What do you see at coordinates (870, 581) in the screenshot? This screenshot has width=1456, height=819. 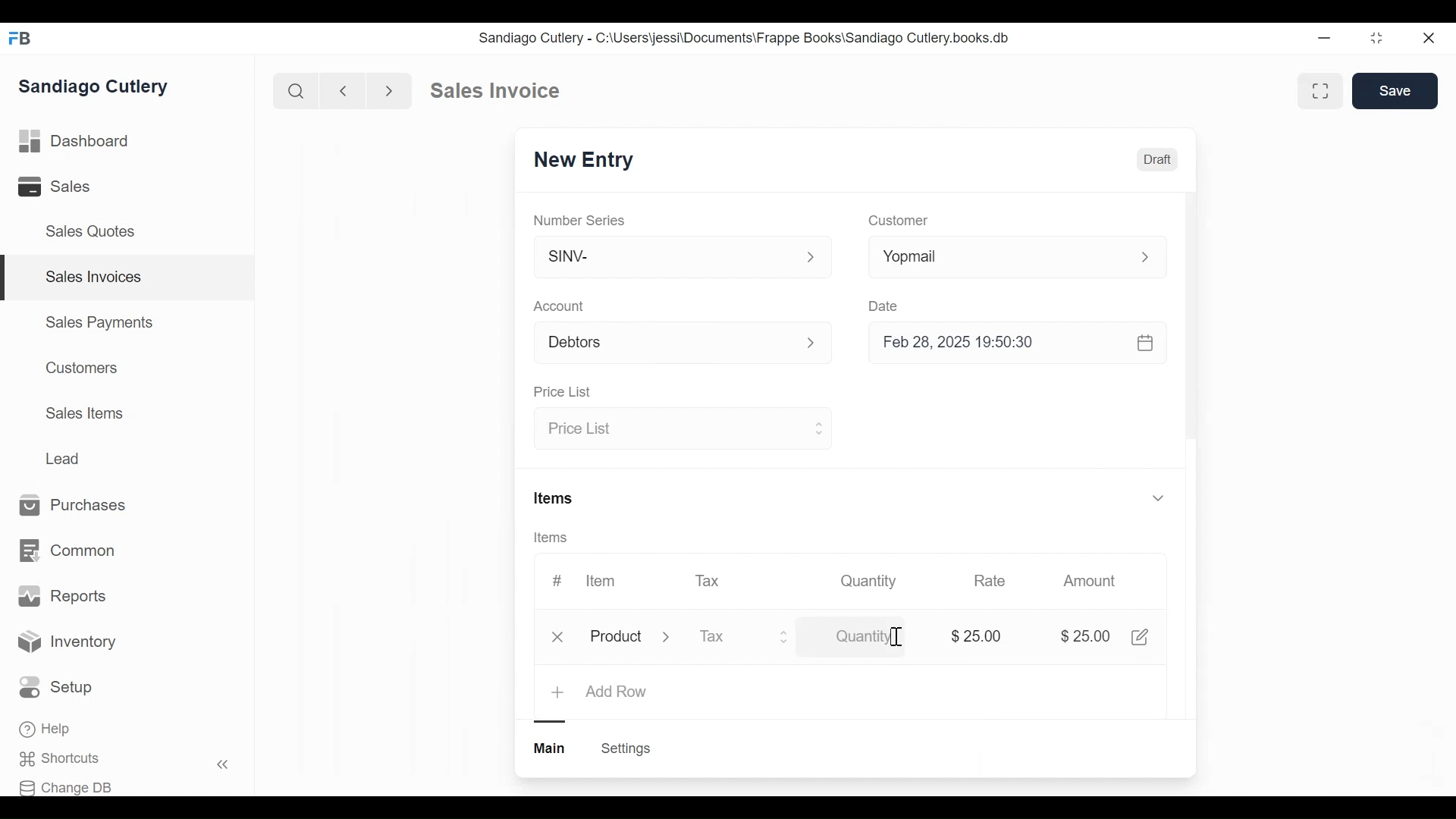 I see `Quantity` at bounding box center [870, 581].